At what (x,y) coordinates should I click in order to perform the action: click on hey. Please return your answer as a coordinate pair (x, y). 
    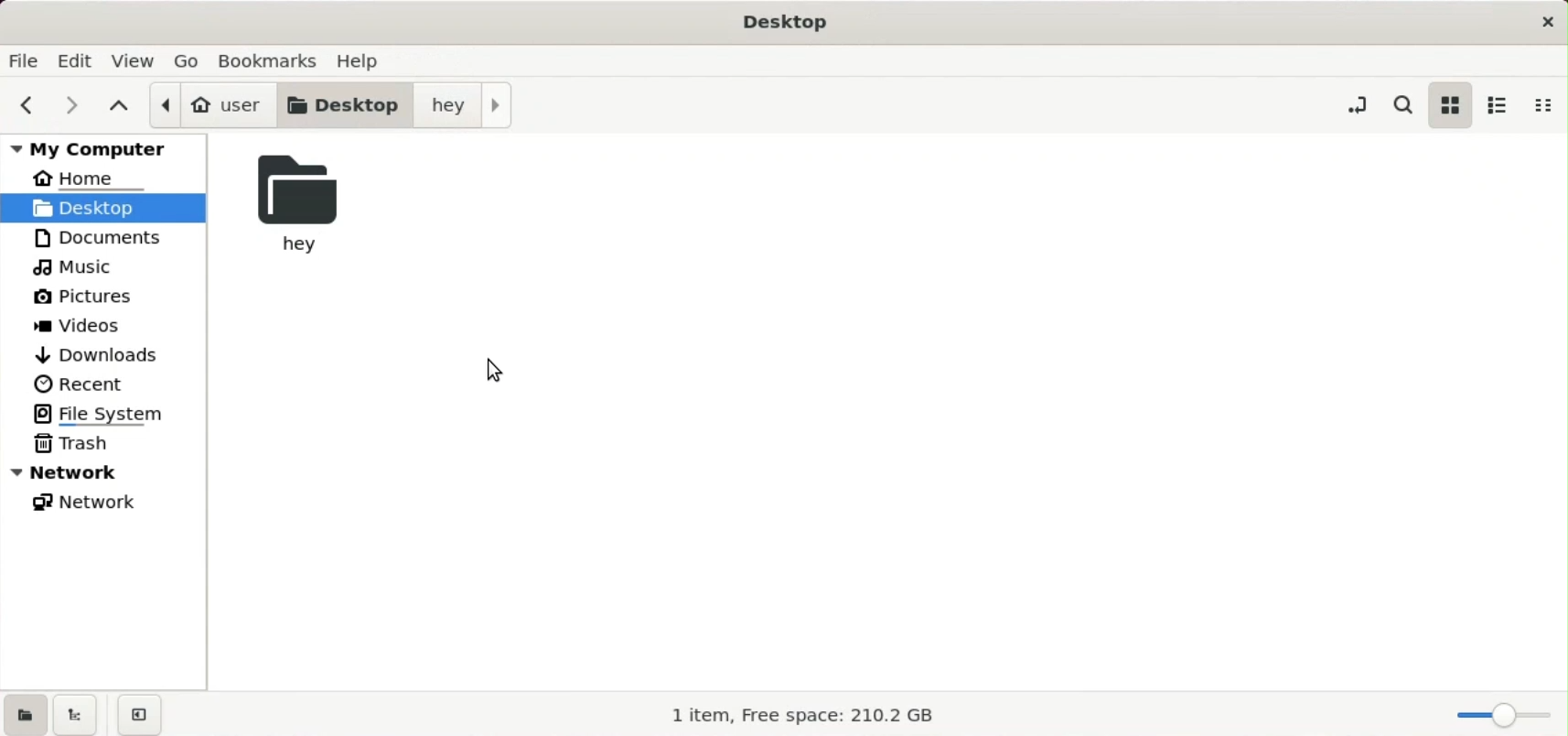
    Looking at the image, I should click on (298, 206).